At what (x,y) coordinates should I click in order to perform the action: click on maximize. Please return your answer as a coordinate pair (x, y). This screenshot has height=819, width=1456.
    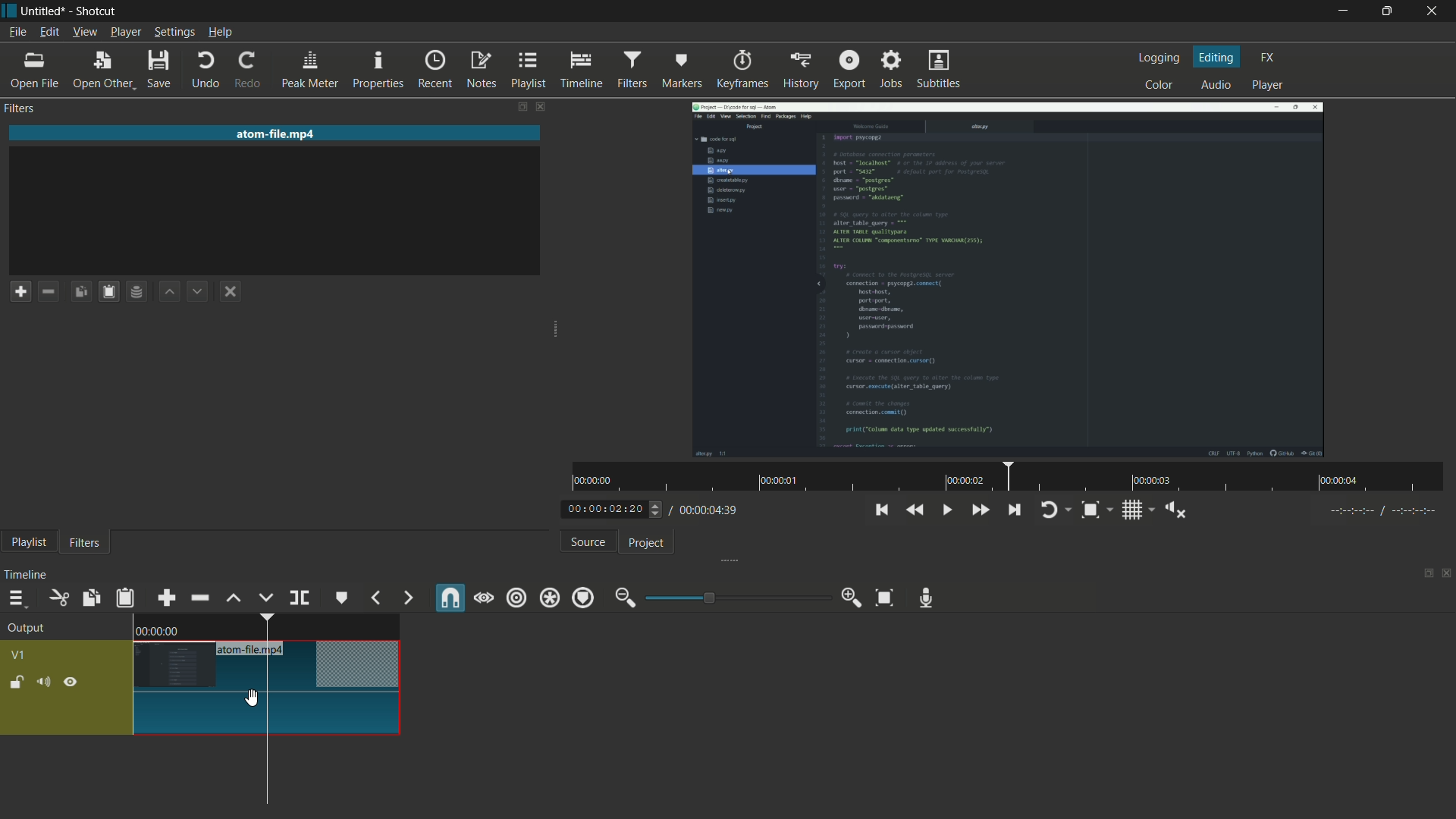
    Looking at the image, I should click on (1389, 10).